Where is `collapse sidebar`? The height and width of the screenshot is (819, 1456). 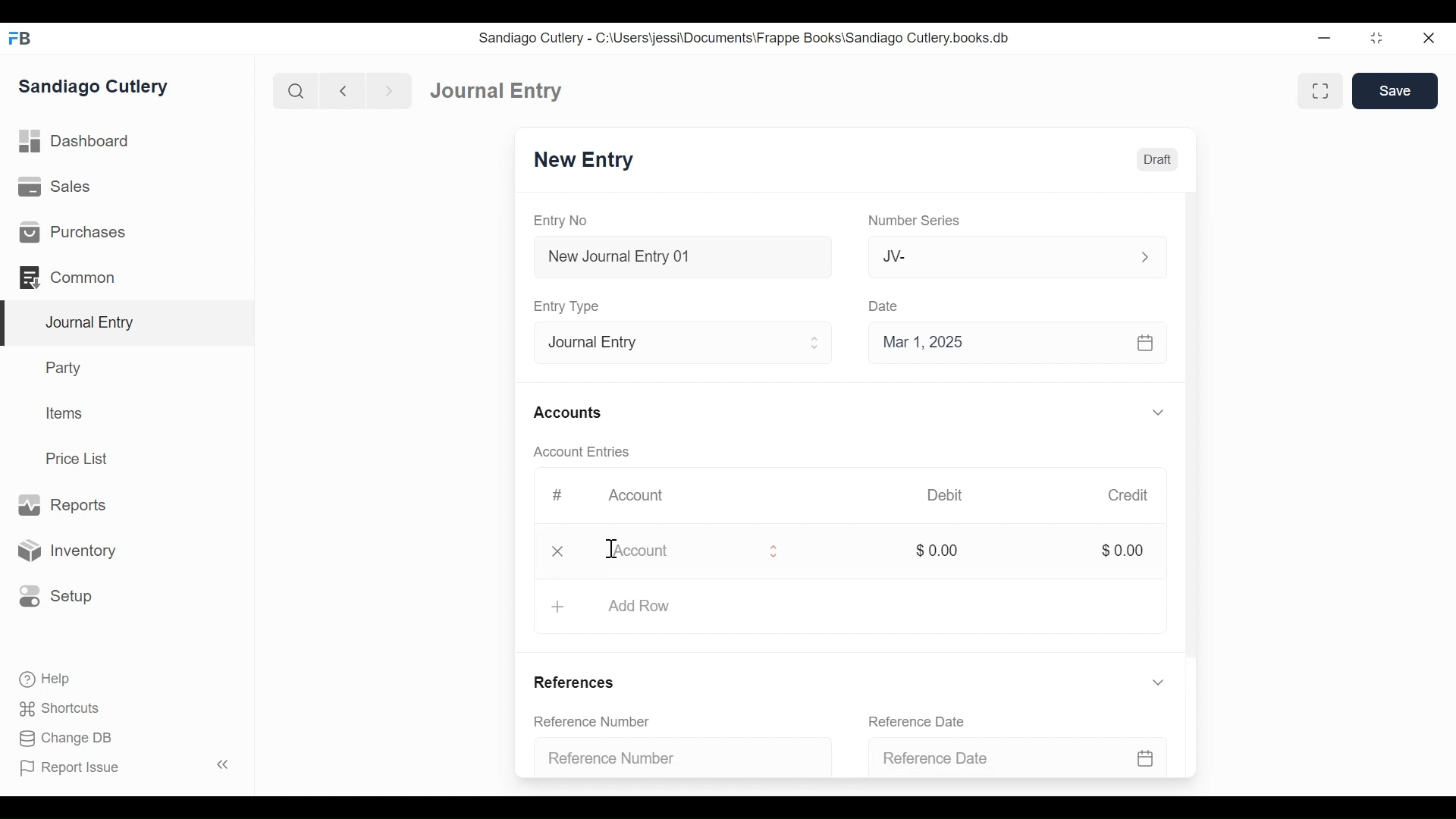
collapse sidebar is located at coordinates (220, 764).